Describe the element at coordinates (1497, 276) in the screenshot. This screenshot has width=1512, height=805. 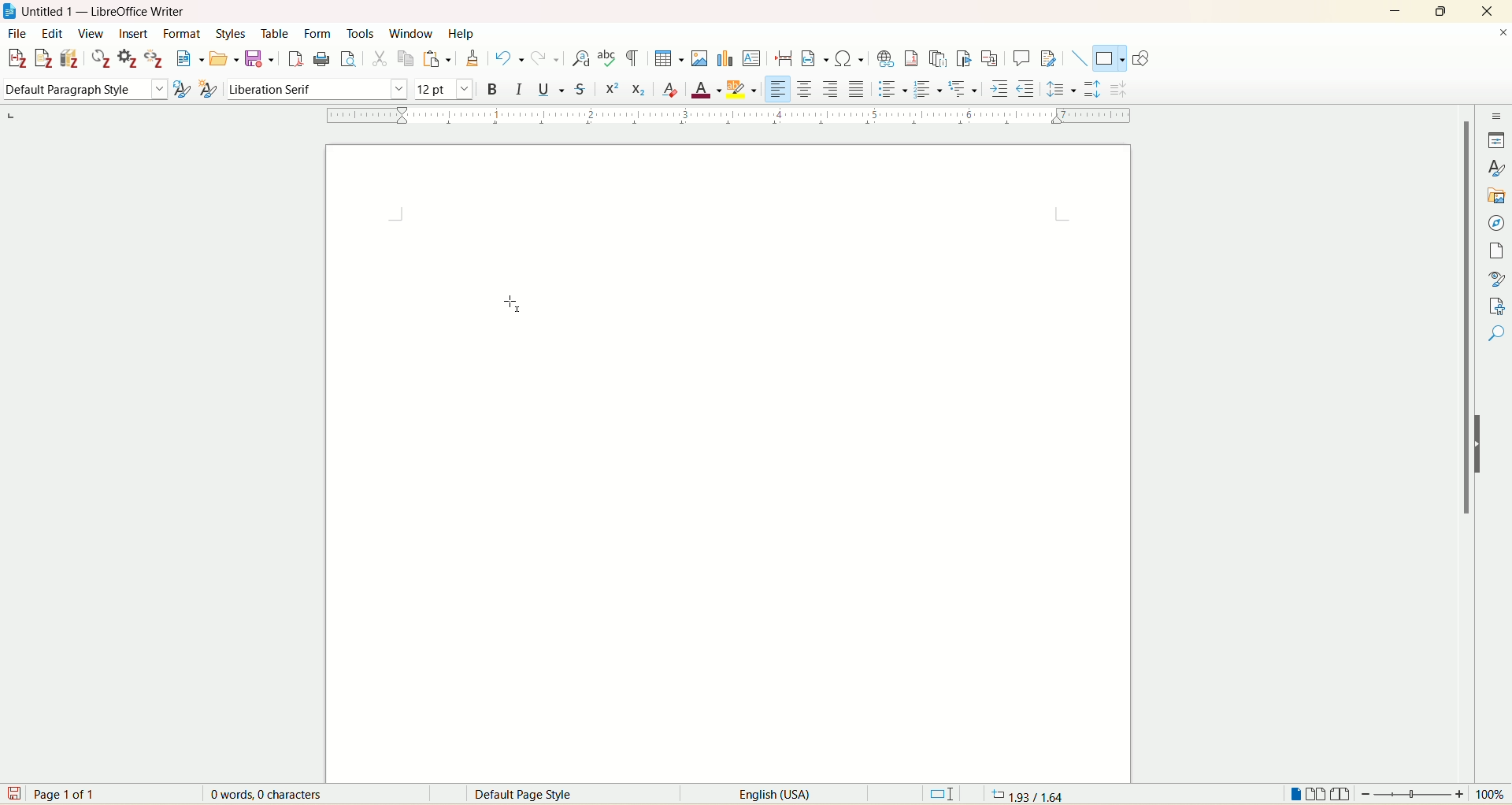
I see `style inspector` at that location.